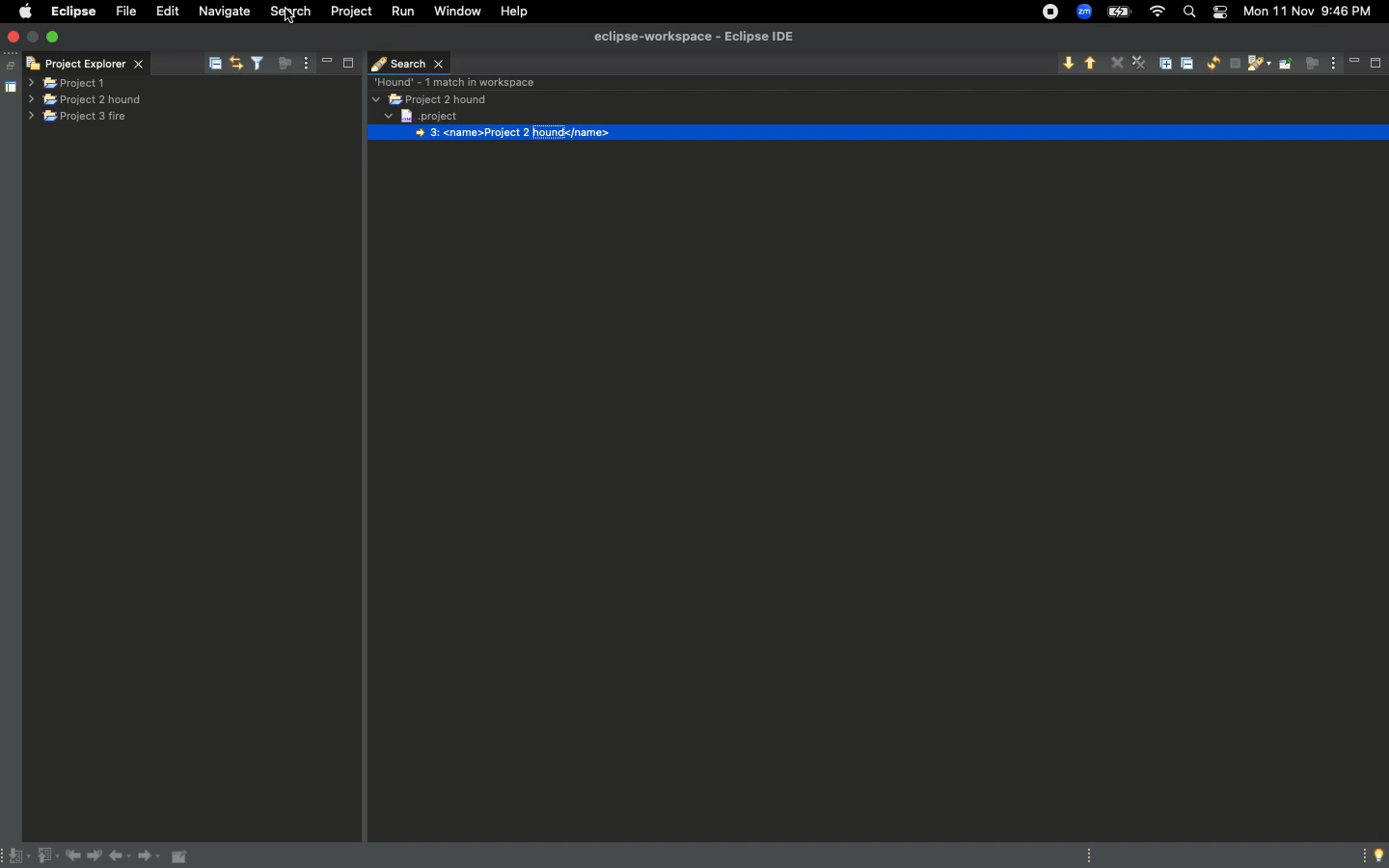  I want to click on link with editor, so click(238, 62).